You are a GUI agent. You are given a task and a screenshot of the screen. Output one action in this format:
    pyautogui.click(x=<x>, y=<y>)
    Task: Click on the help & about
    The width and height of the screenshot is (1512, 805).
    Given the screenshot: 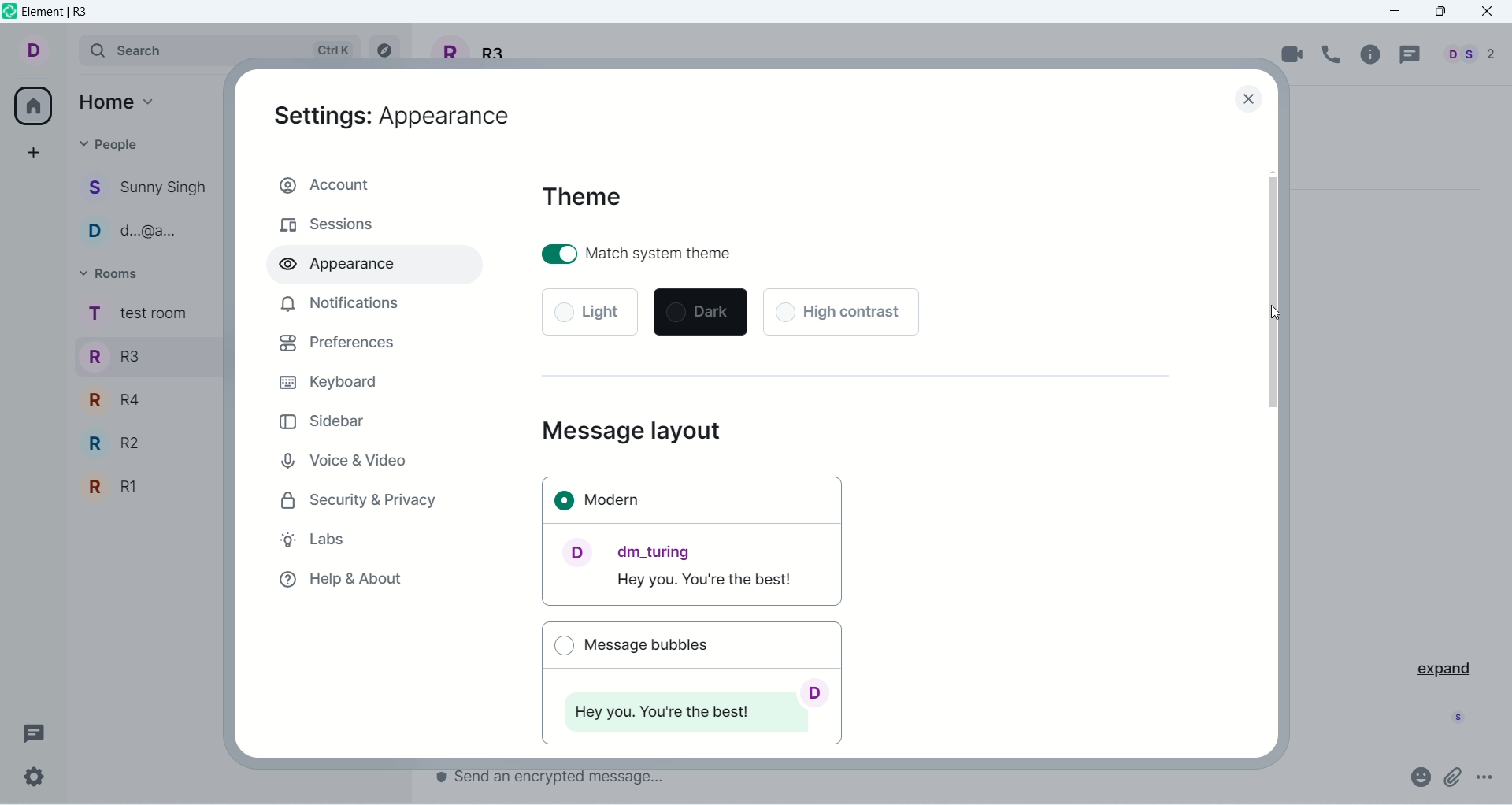 What is the action you would take?
    pyautogui.click(x=339, y=583)
    